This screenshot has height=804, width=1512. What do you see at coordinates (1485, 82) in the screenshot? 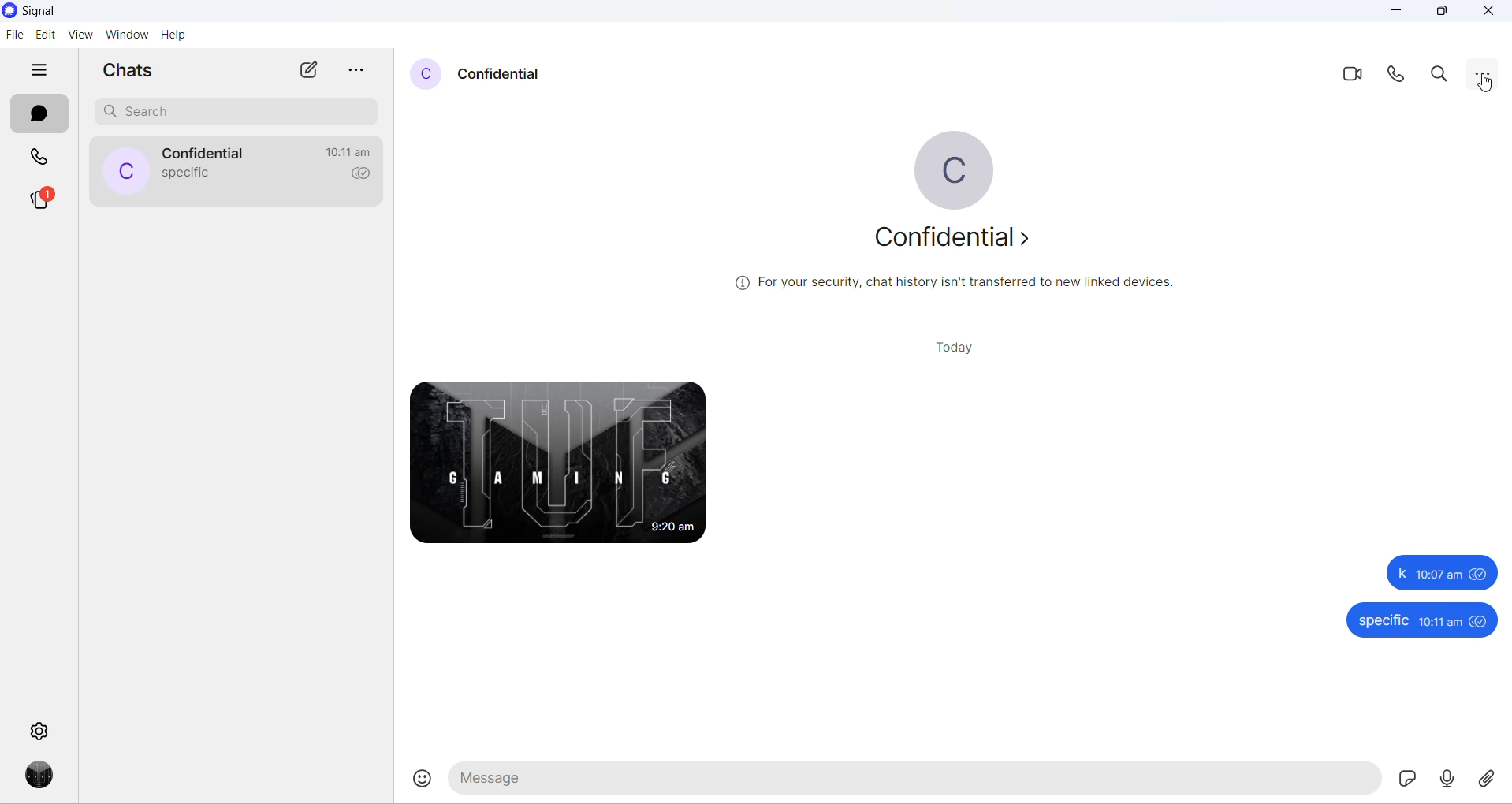
I see `cursor` at bounding box center [1485, 82].